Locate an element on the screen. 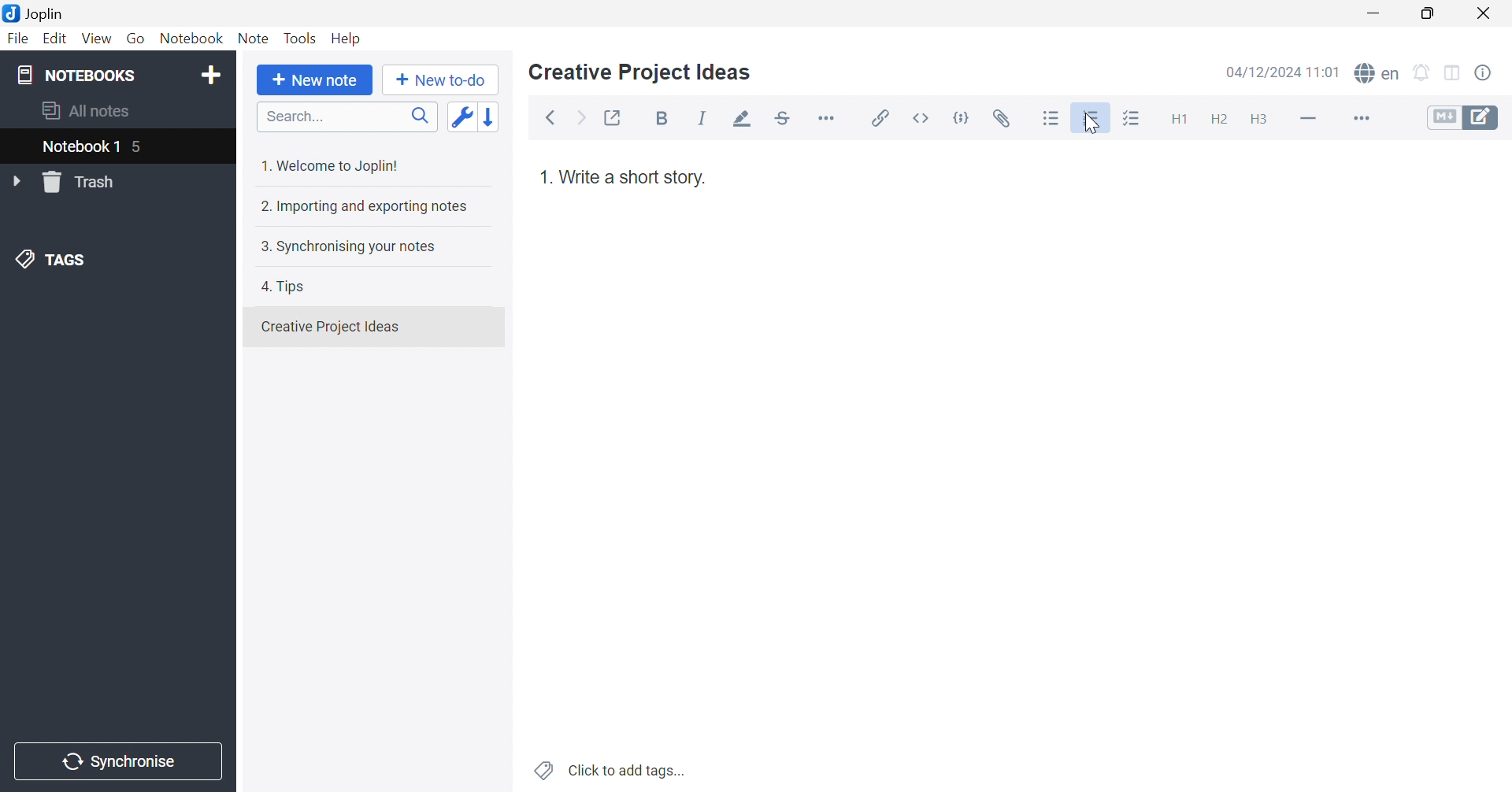  Toggle editors layout is located at coordinates (1452, 71).